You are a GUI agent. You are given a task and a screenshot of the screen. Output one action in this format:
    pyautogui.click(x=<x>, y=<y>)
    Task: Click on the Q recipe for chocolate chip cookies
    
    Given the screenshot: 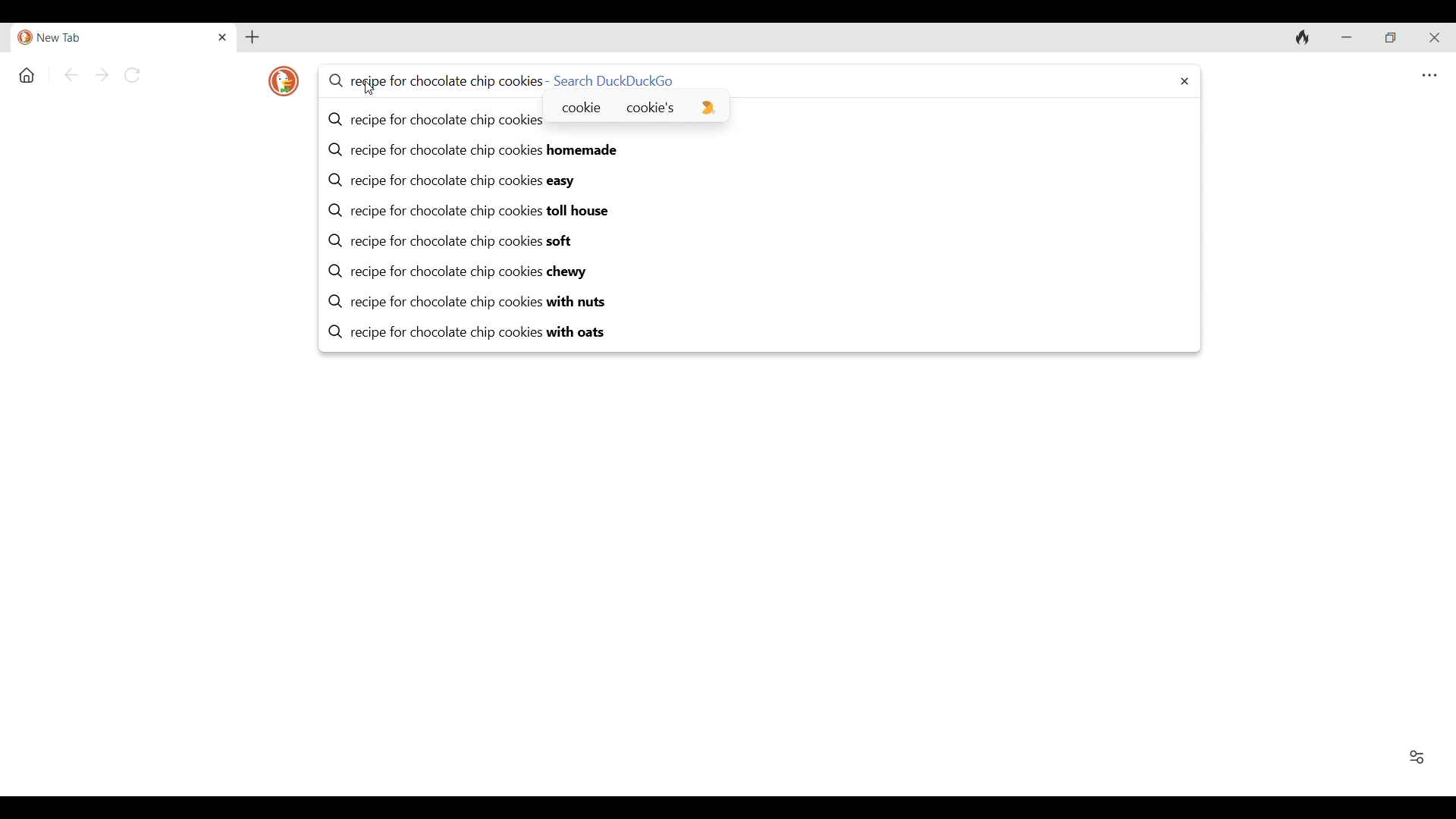 What is the action you would take?
    pyautogui.click(x=435, y=120)
    